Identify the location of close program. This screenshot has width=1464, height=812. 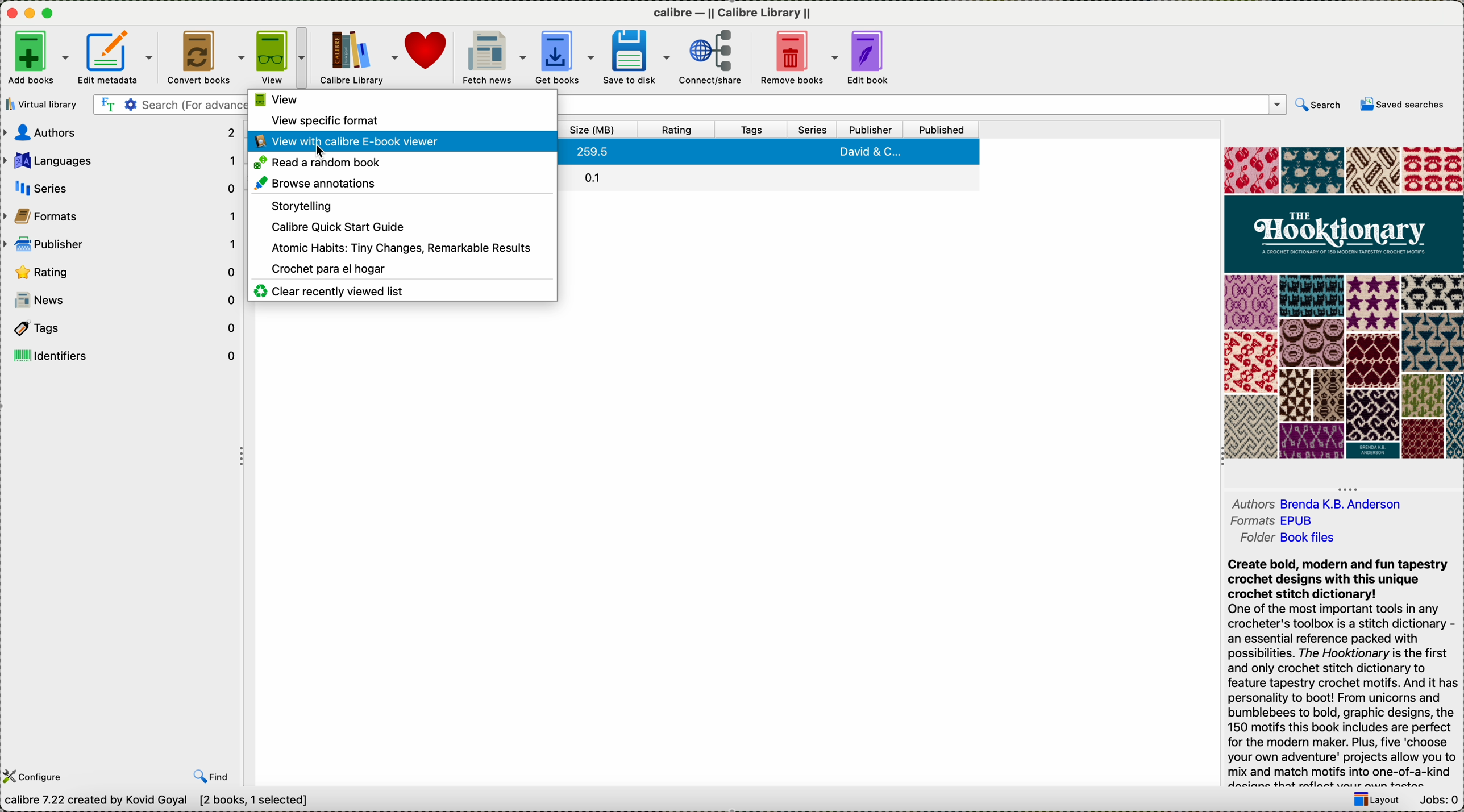
(12, 14).